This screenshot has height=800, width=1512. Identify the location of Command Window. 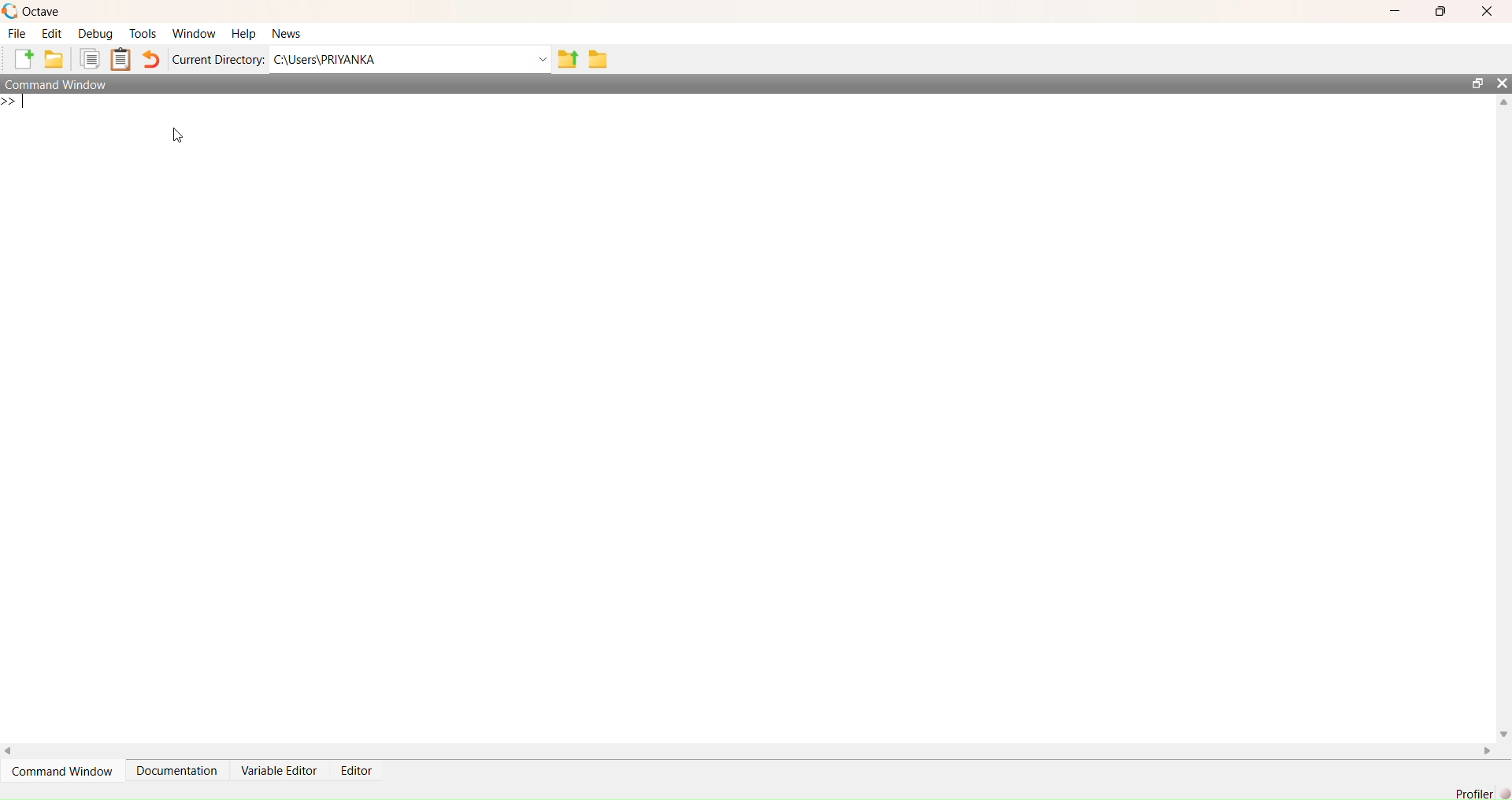
(66, 84).